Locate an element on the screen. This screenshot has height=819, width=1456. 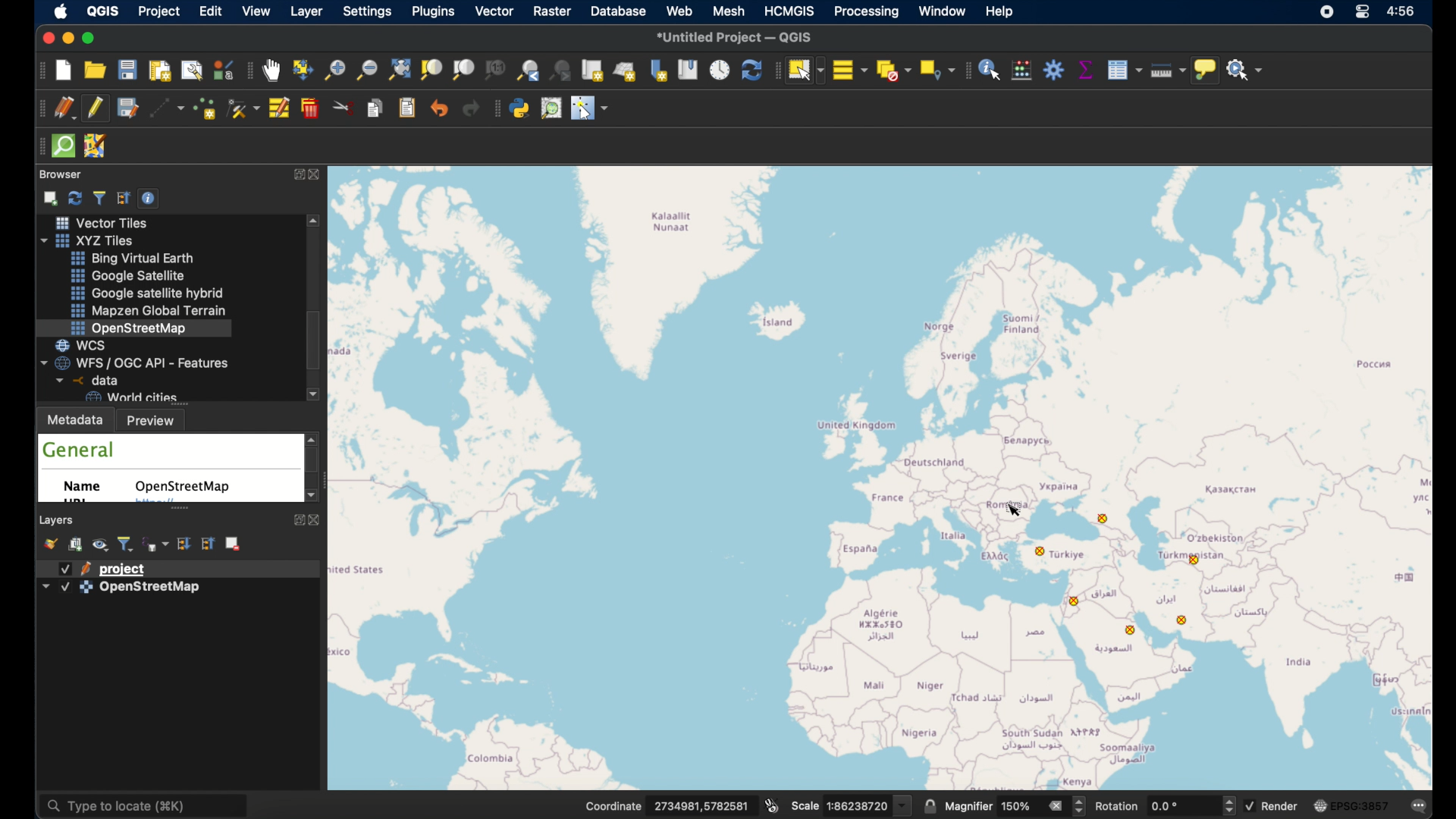
digitizing toolbar is located at coordinates (39, 108).